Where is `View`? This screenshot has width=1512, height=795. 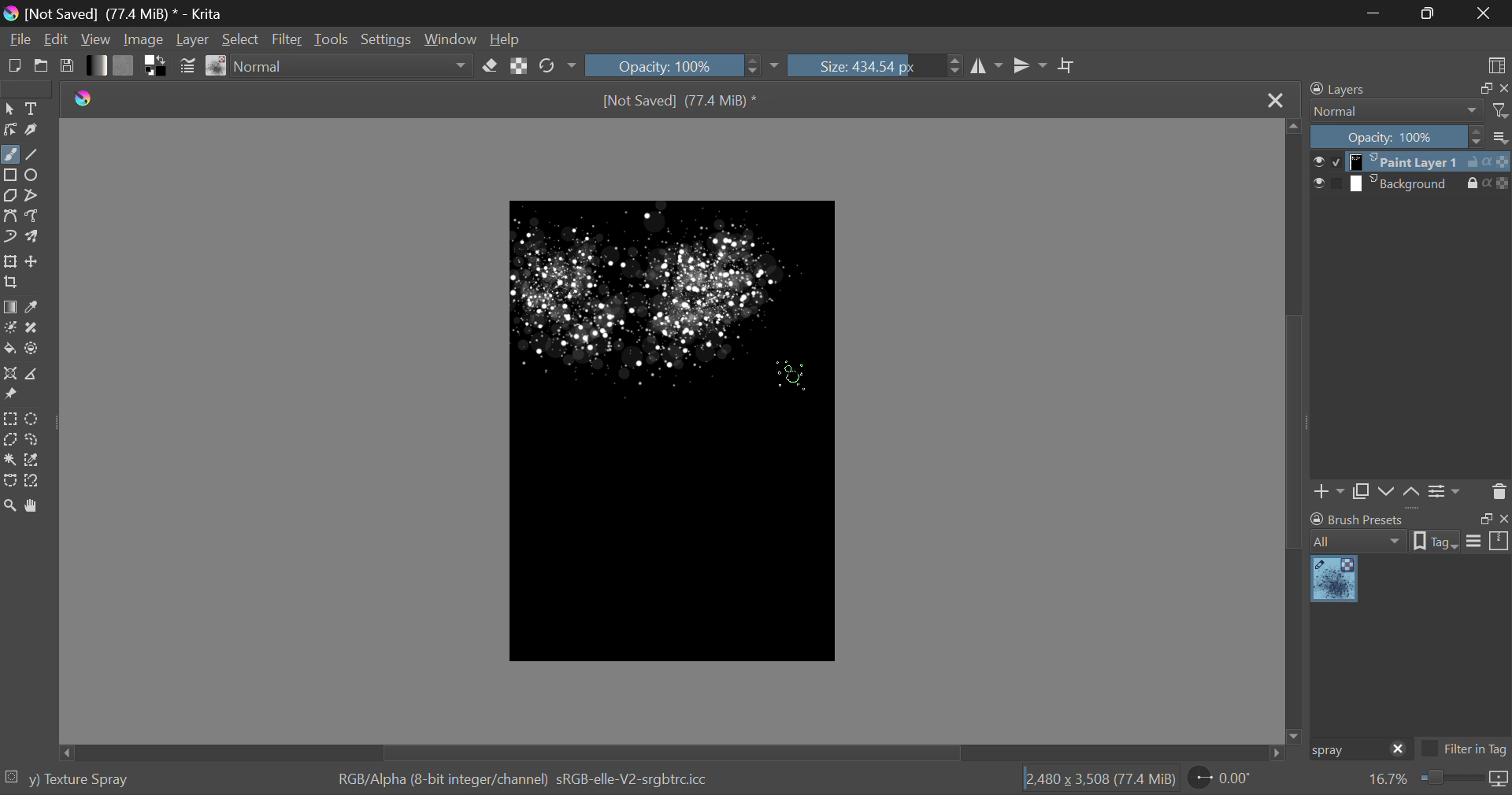 View is located at coordinates (98, 39).